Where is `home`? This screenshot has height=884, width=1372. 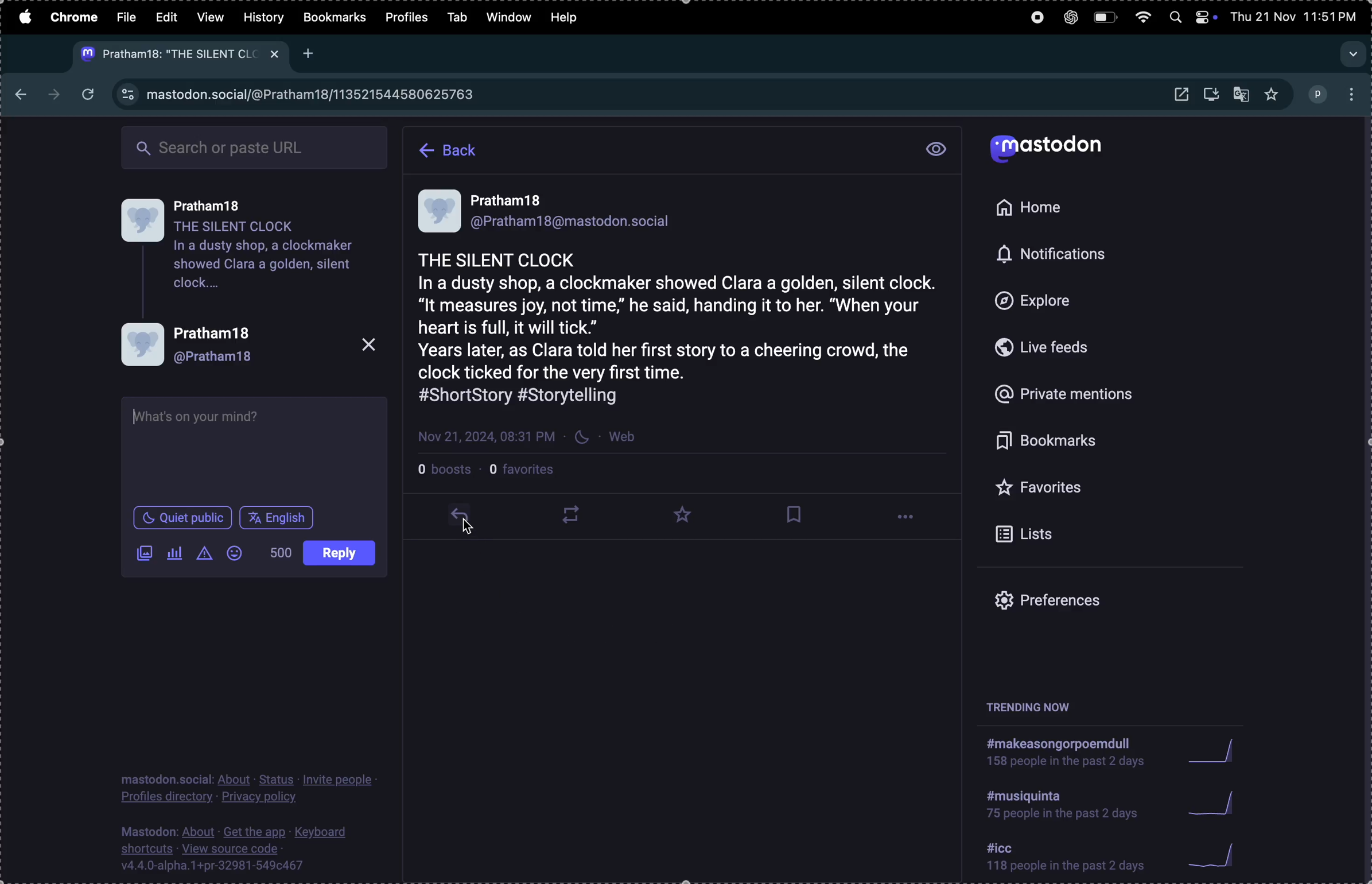 home is located at coordinates (1036, 208).